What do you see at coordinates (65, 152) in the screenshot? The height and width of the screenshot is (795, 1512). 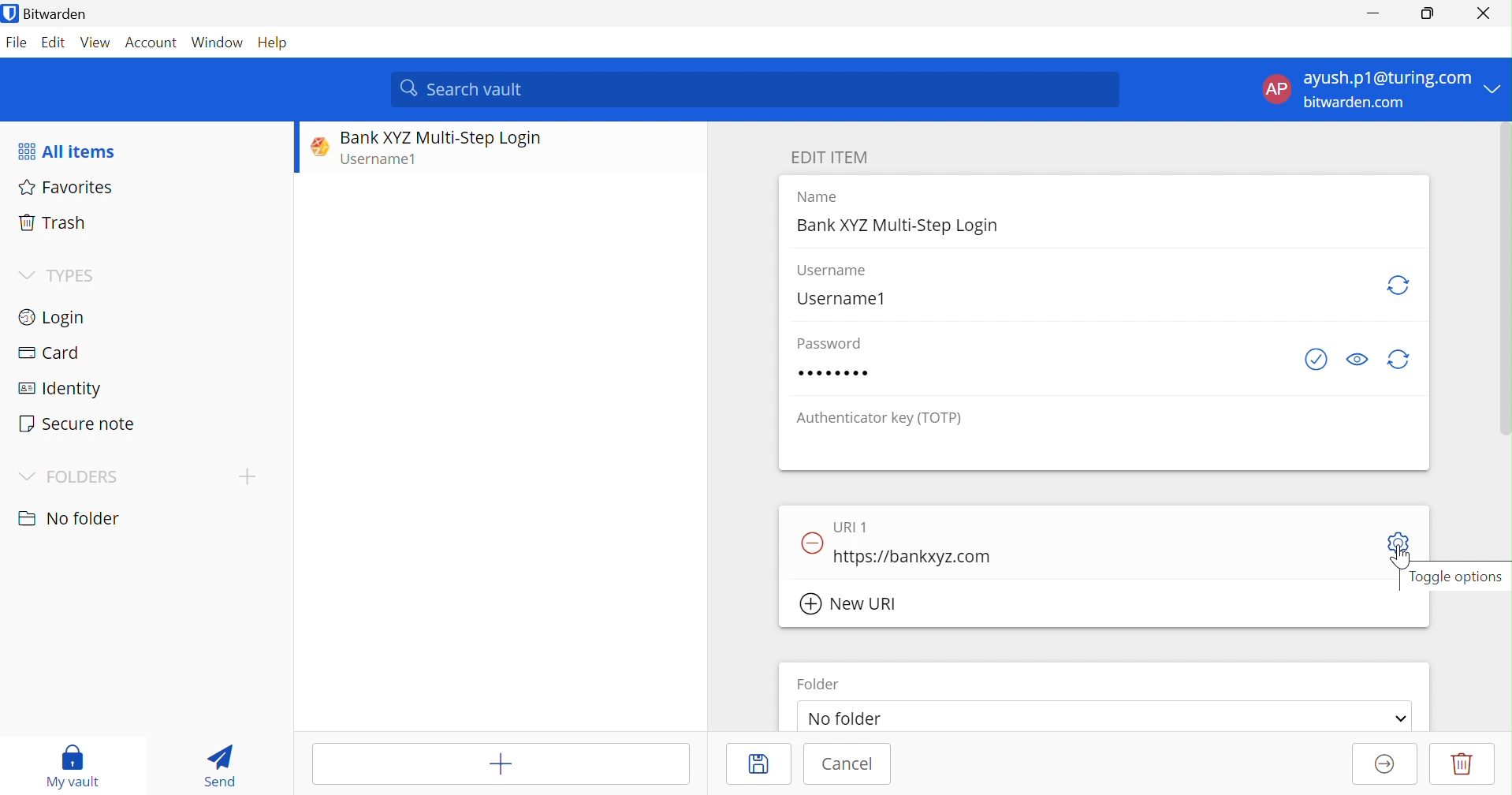 I see `All items` at bounding box center [65, 152].